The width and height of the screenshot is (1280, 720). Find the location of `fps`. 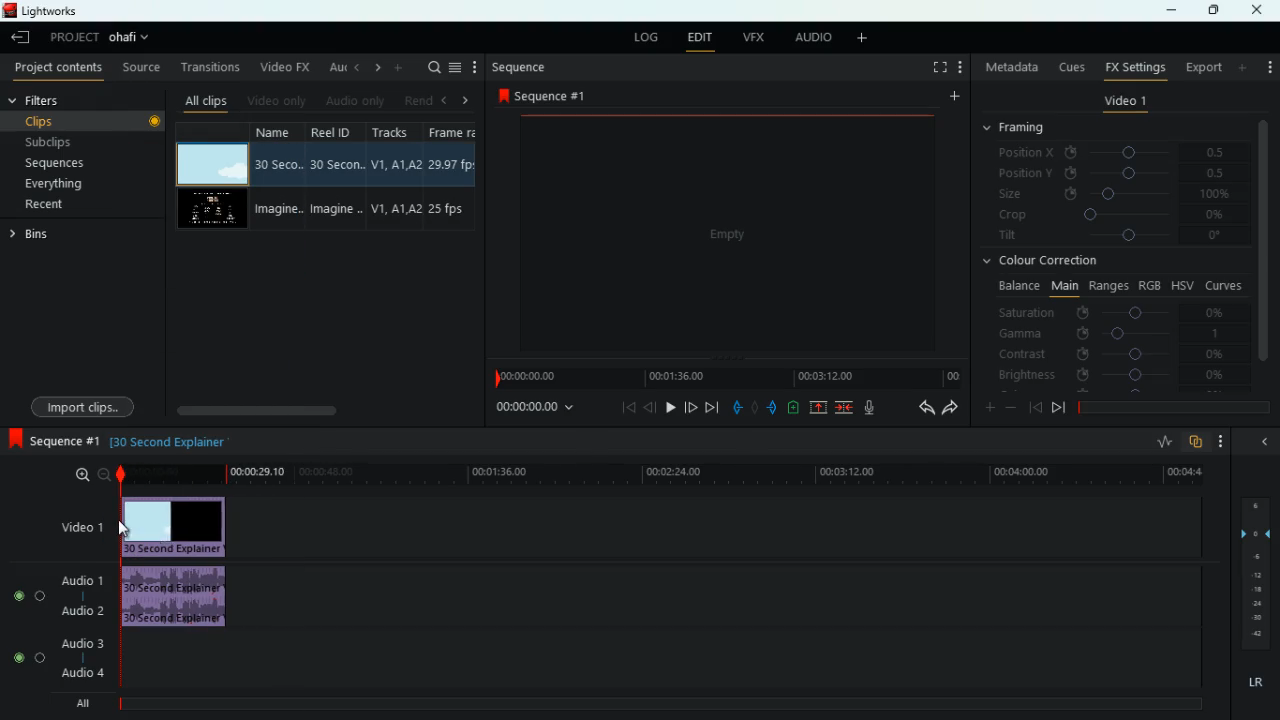

fps is located at coordinates (450, 176).